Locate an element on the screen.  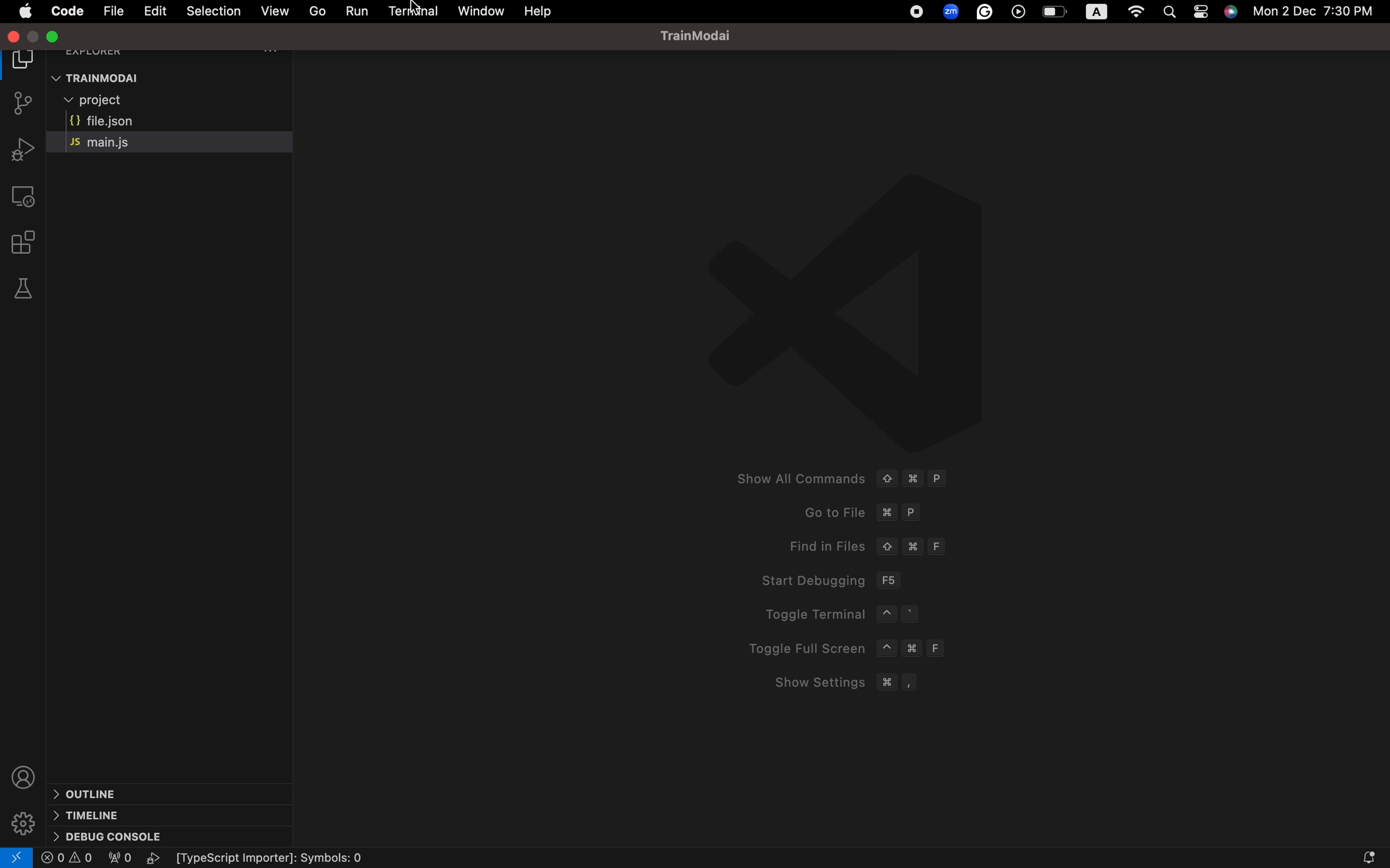
run is located at coordinates (358, 11).